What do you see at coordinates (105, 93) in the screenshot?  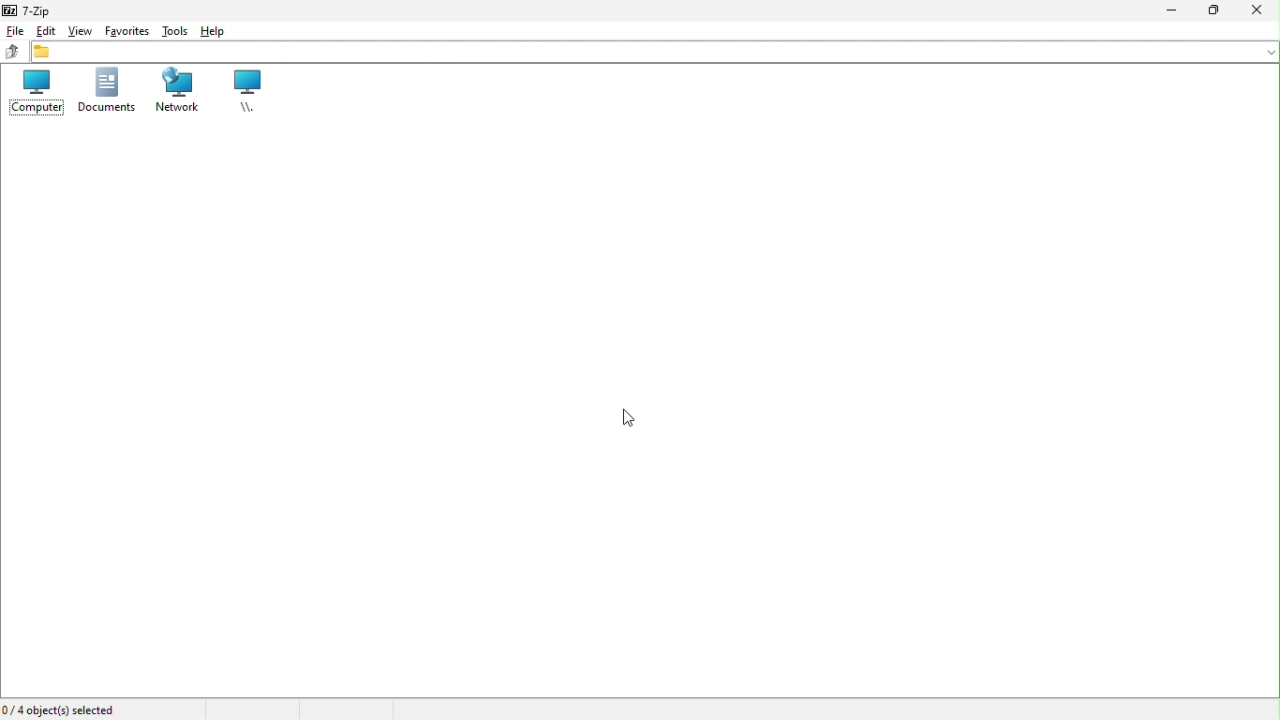 I see `Document` at bounding box center [105, 93].